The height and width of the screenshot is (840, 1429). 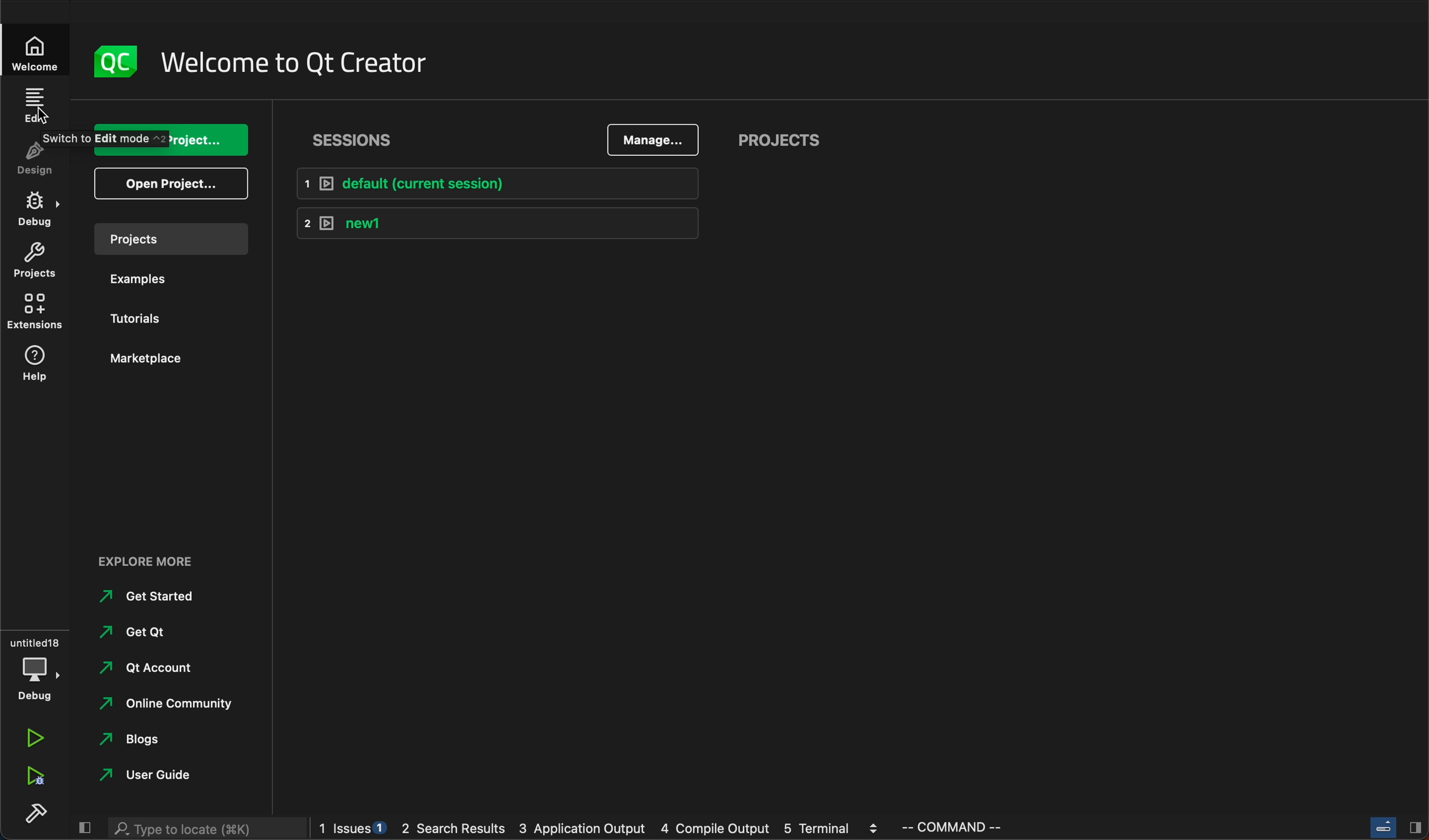 I want to click on welcome , so click(x=299, y=60).